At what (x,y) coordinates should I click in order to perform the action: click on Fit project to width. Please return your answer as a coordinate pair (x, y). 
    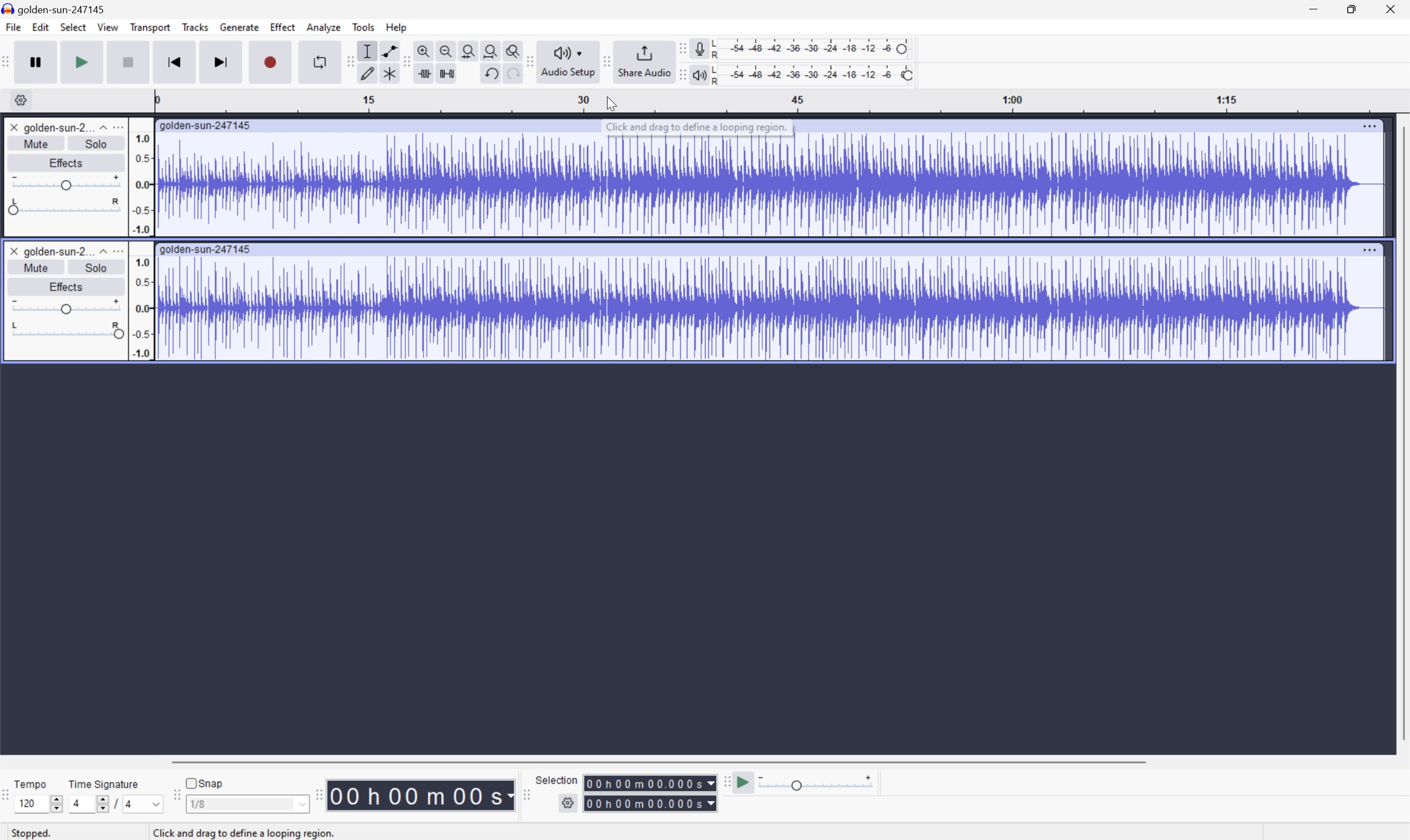
    Looking at the image, I should click on (488, 49).